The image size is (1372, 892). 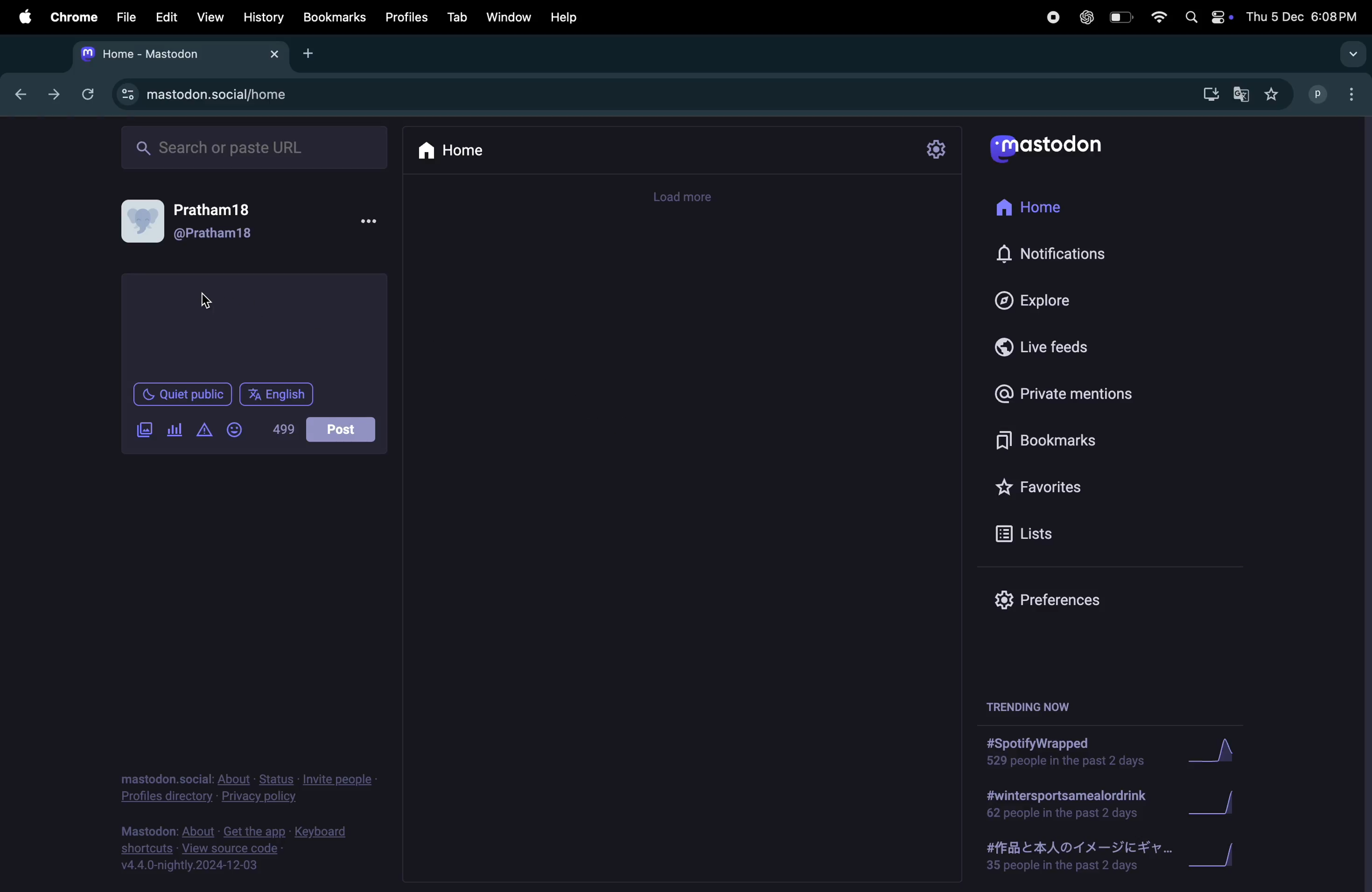 I want to click on home, so click(x=1041, y=206).